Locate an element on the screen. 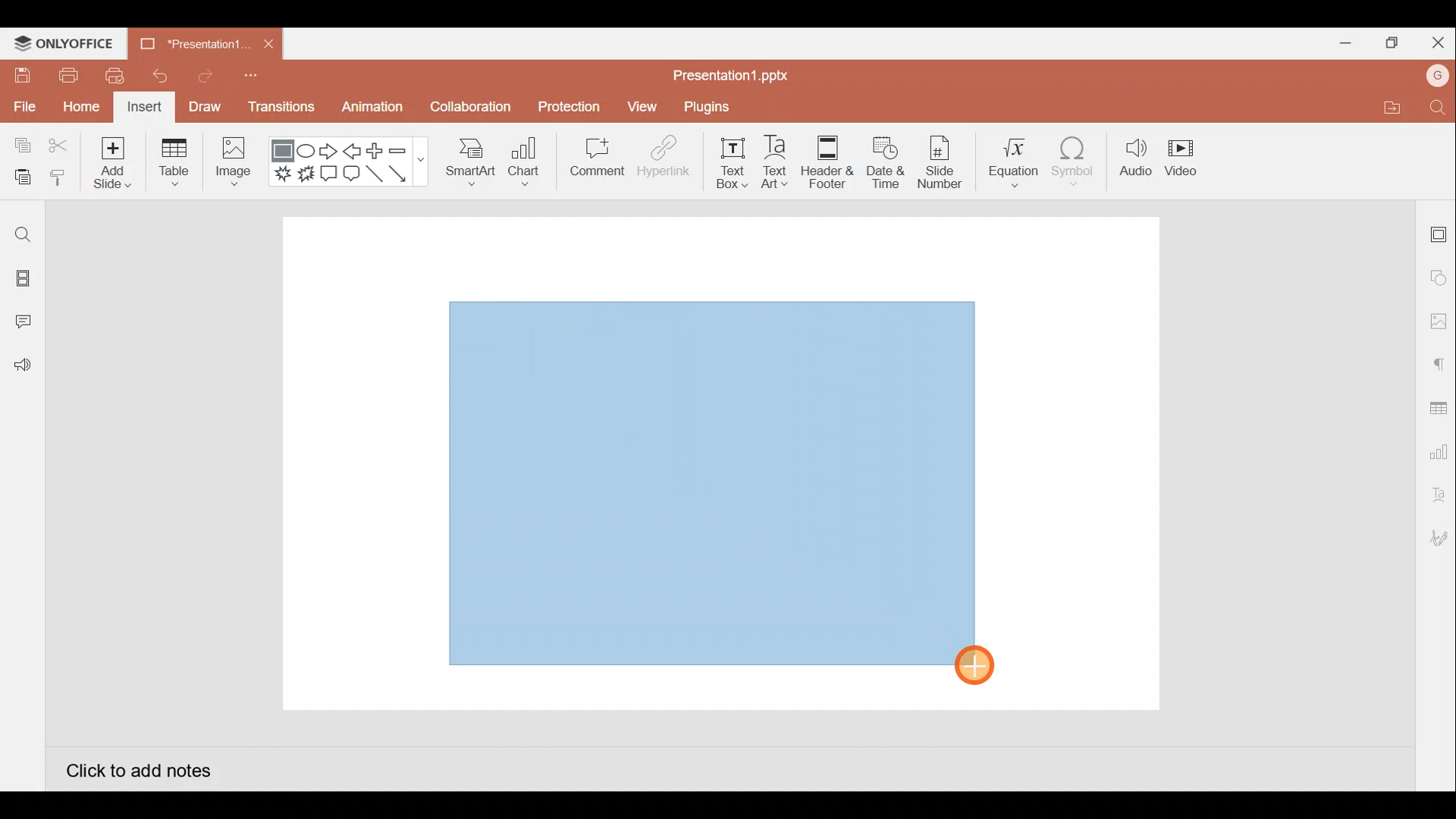 The width and height of the screenshot is (1456, 819). File is located at coordinates (23, 104).